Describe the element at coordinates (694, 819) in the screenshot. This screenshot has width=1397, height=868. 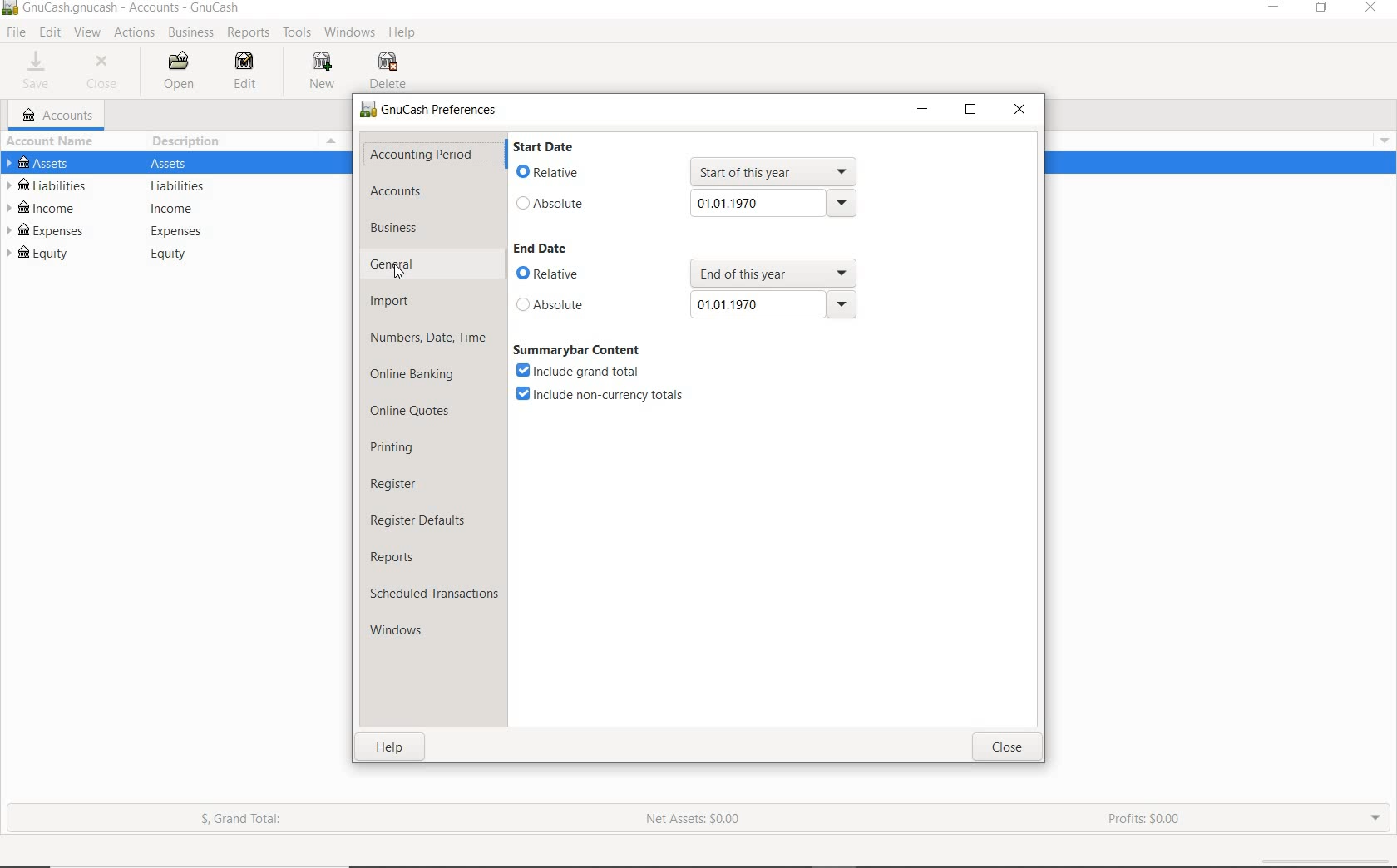
I see `NET ASSETS` at that location.